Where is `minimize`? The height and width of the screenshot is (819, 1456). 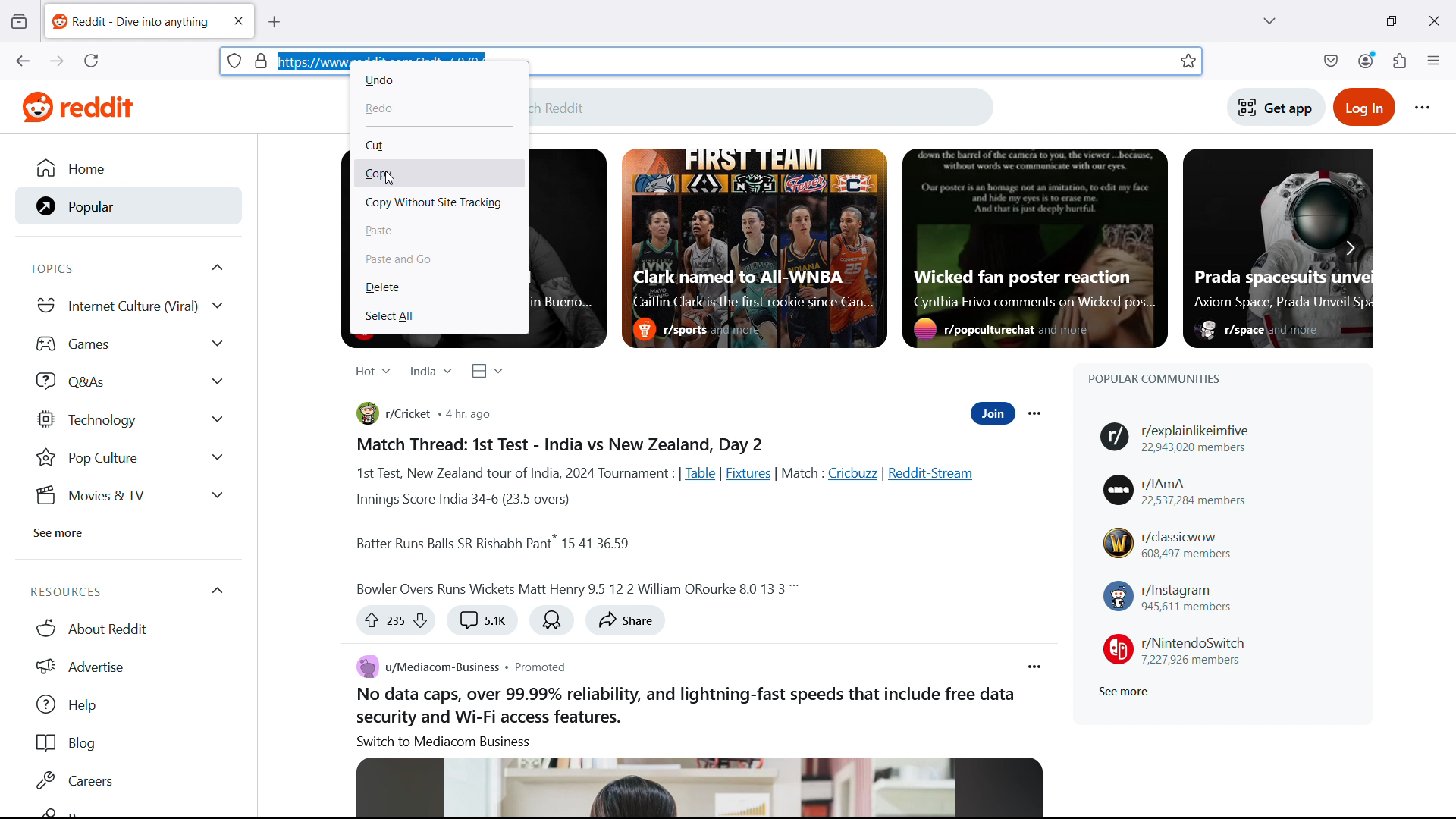
minimize is located at coordinates (1349, 19).